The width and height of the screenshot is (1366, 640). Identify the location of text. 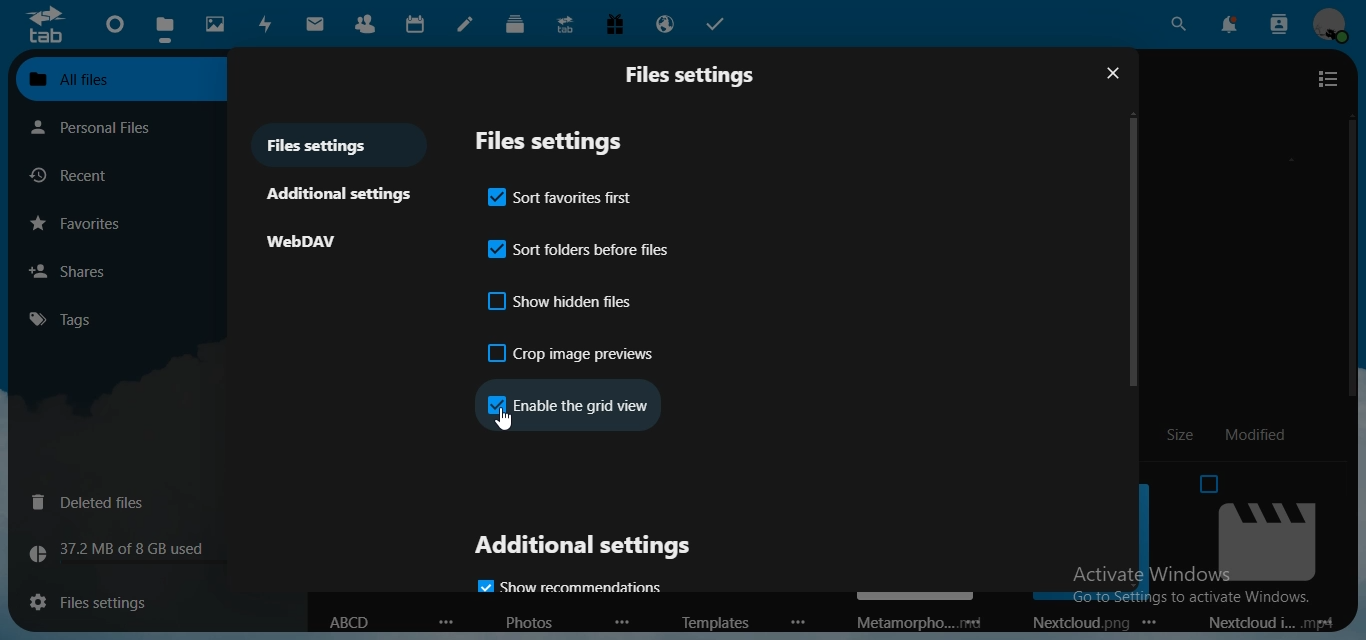
(134, 551).